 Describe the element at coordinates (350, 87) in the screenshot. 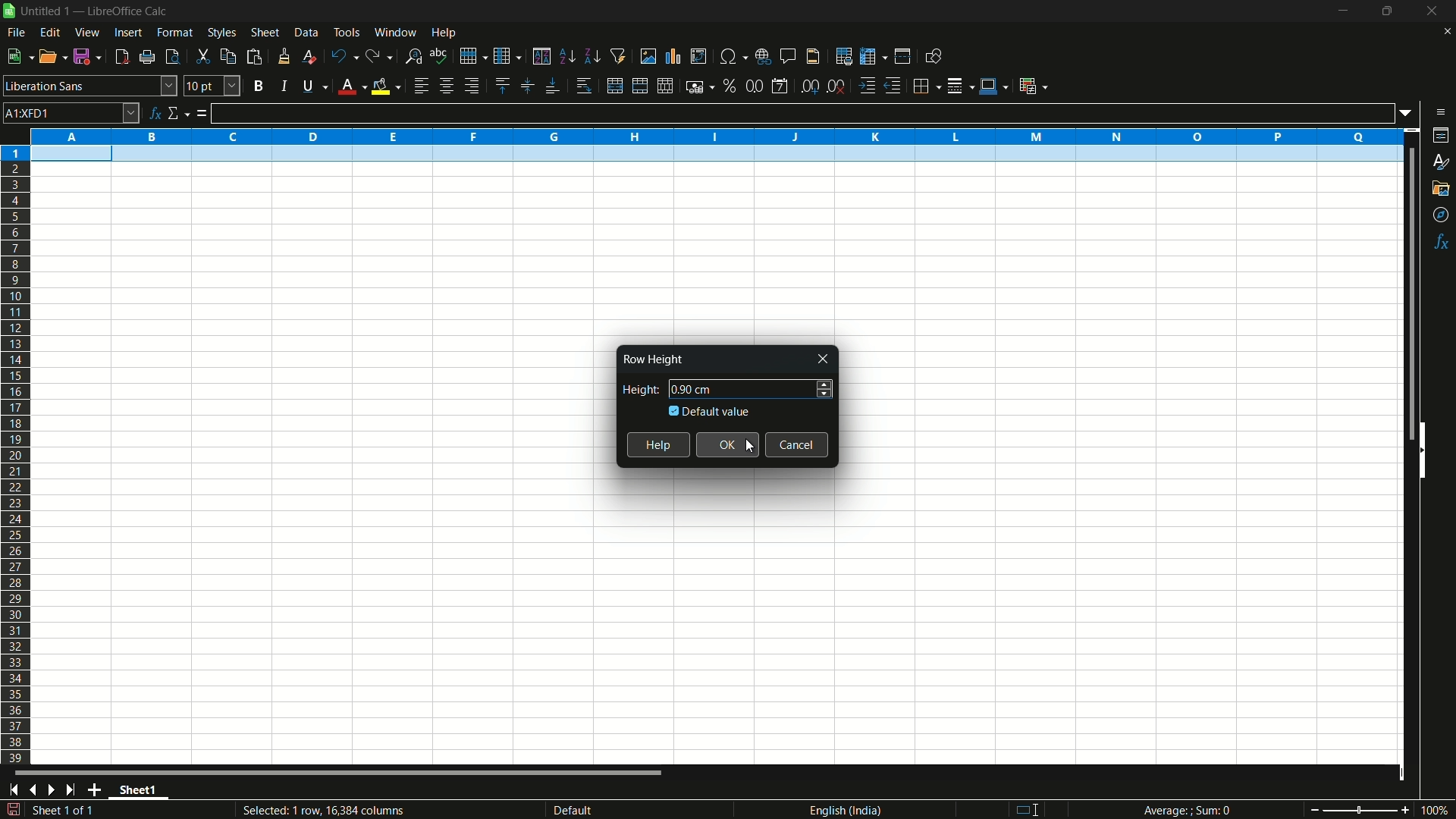

I see `font color` at that location.